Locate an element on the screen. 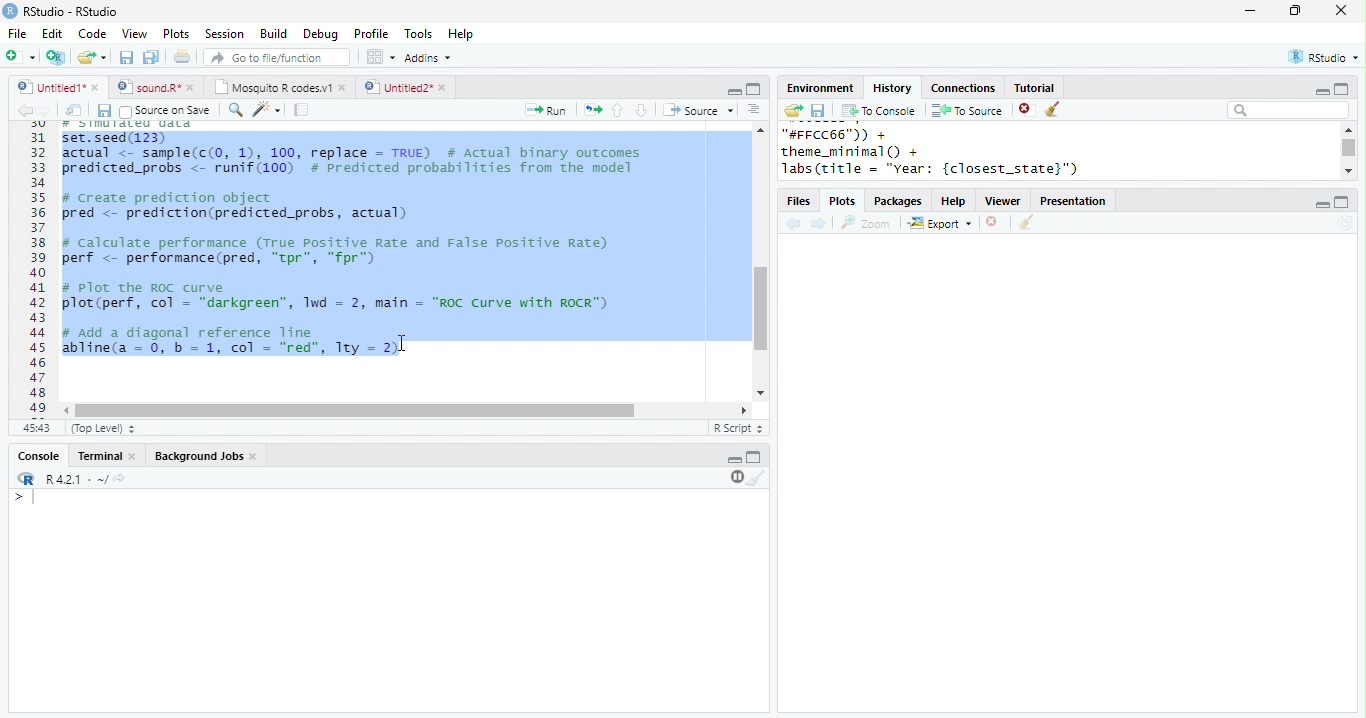  save is located at coordinates (104, 111).